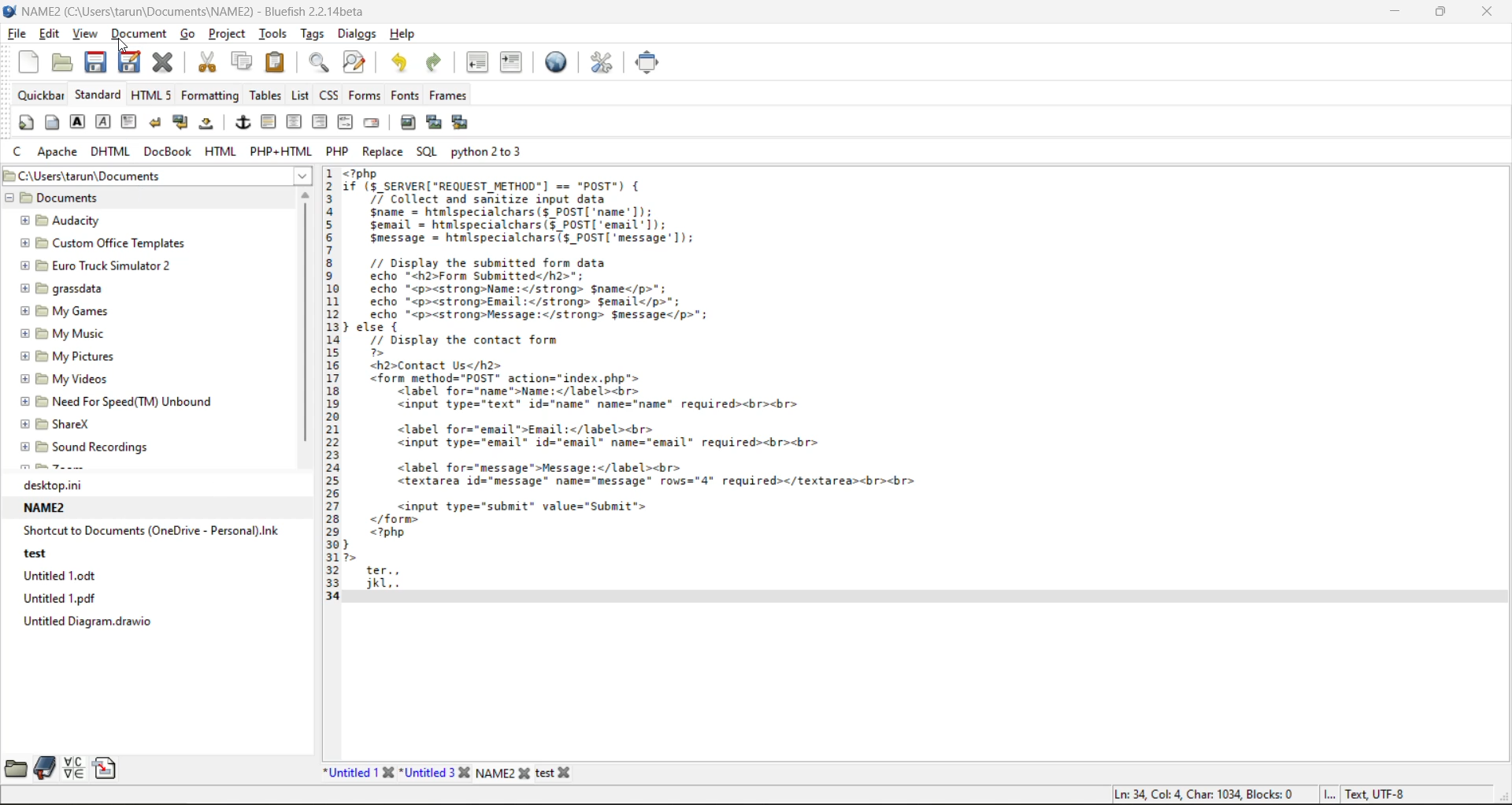  What do you see at coordinates (18, 768) in the screenshot?
I see `file browser` at bounding box center [18, 768].